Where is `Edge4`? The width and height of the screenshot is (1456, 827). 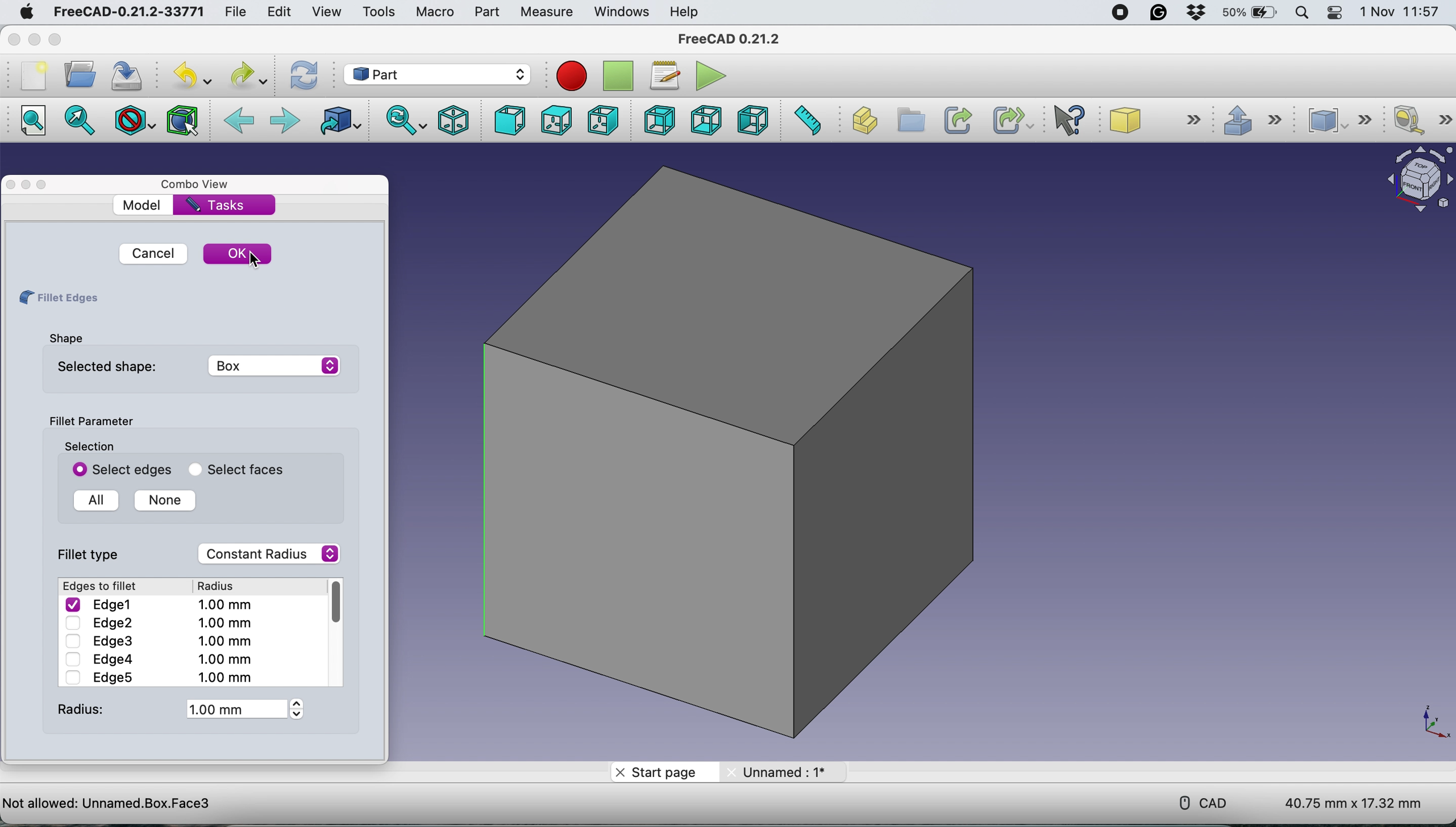 Edge4 is located at coordinates (159, 659).